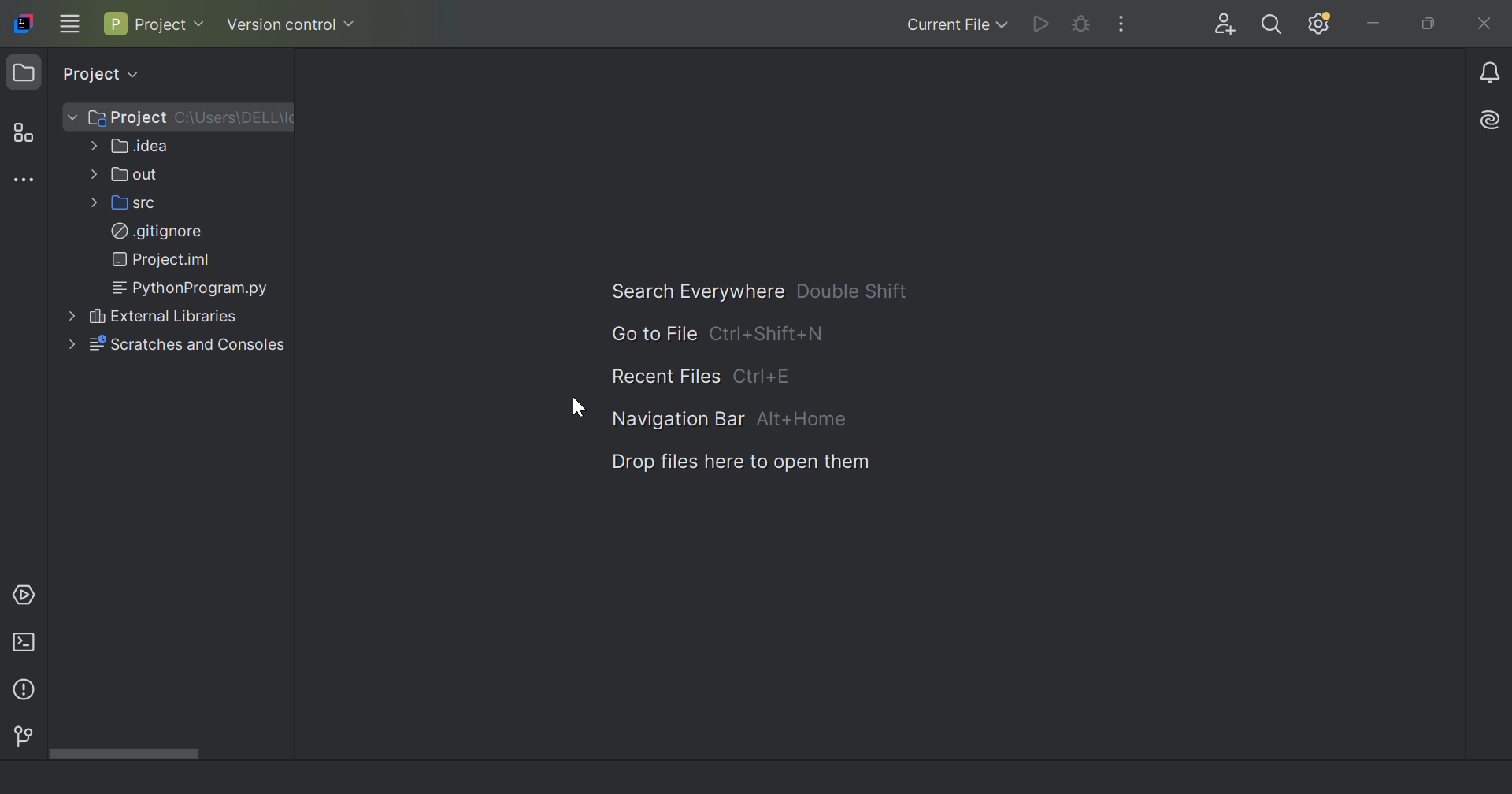 Image resolution: width=1512 pixels, height=794 pixels. I want to click on Recent file, so click(665, 377).